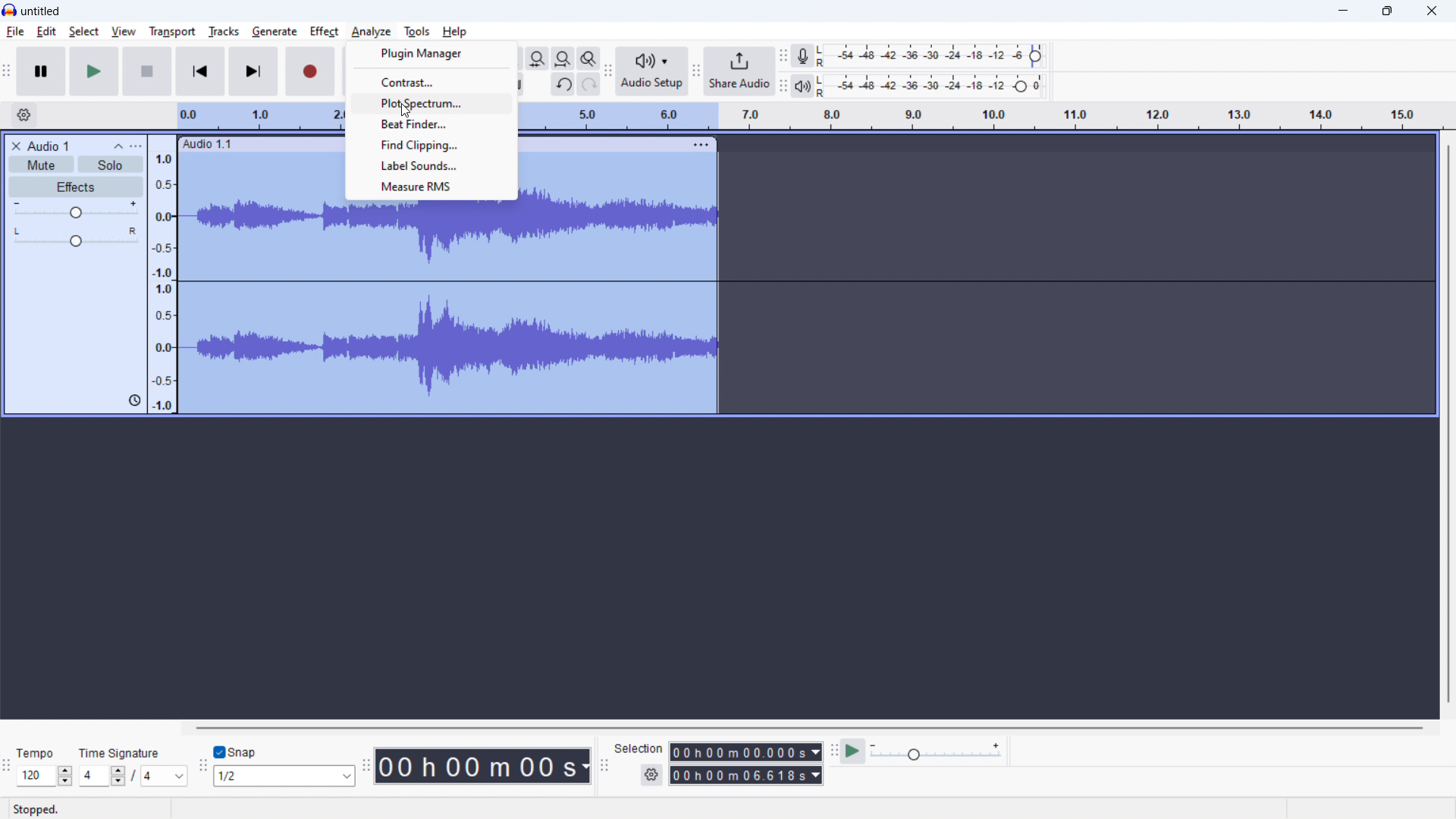 This screenshot has height=819, width=1456. What do you see at coordinates (852, 752) in the screenshot?
I see `play at speed ` at bounding box center [852, 752].